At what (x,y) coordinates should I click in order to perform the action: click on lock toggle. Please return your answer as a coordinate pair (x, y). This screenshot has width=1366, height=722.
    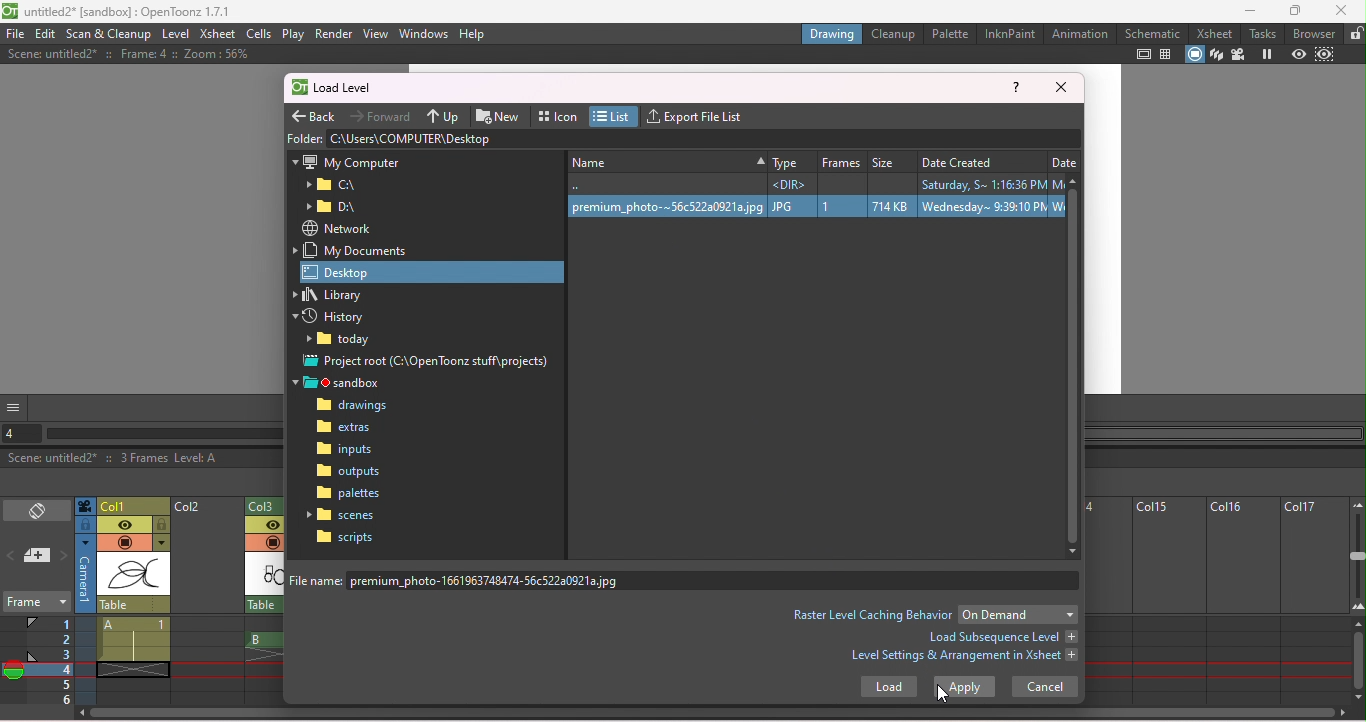
    Looking at the image, I should click on (162, 525).